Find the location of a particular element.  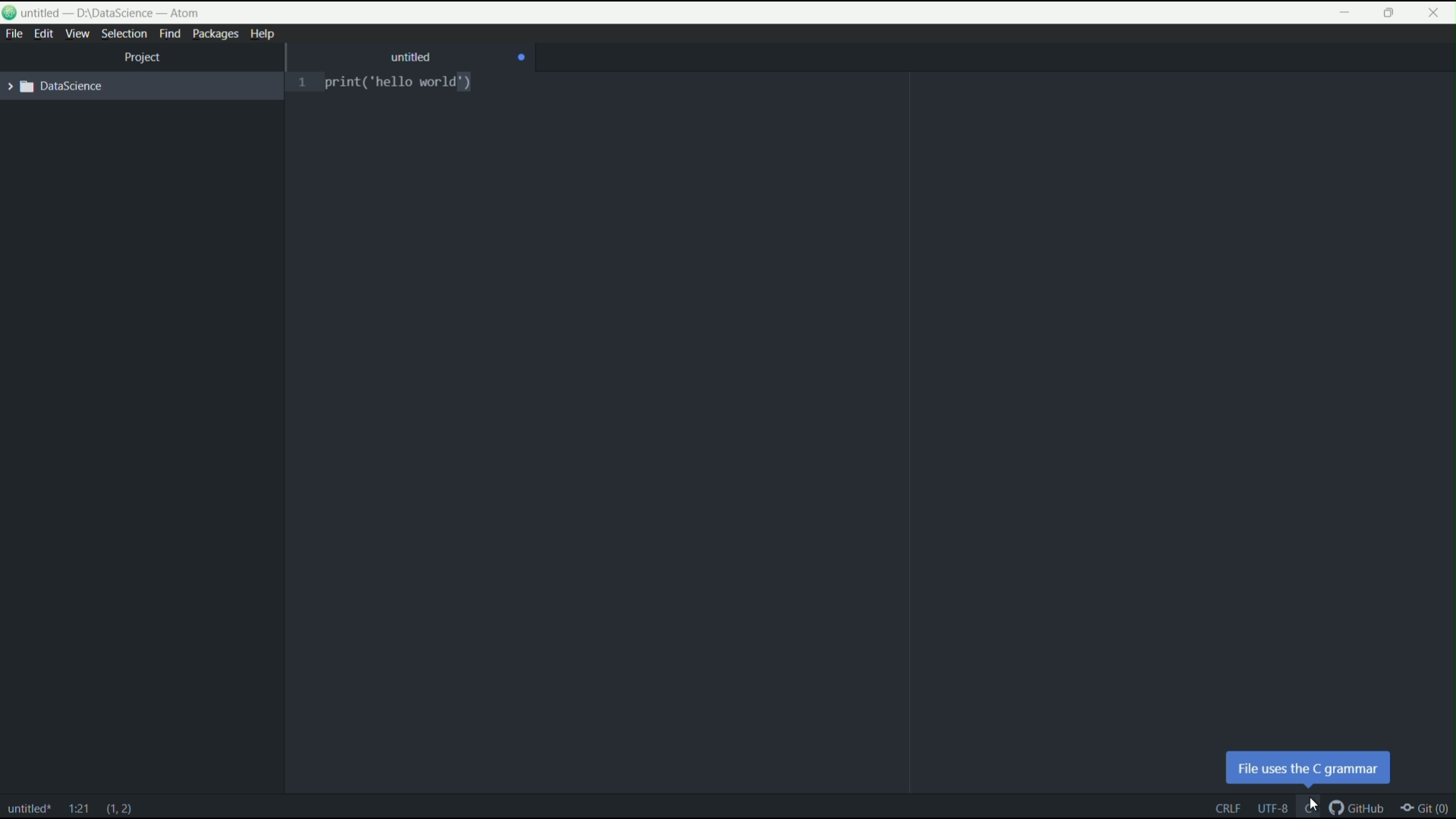

line and column is located at coordinates (79, 809).